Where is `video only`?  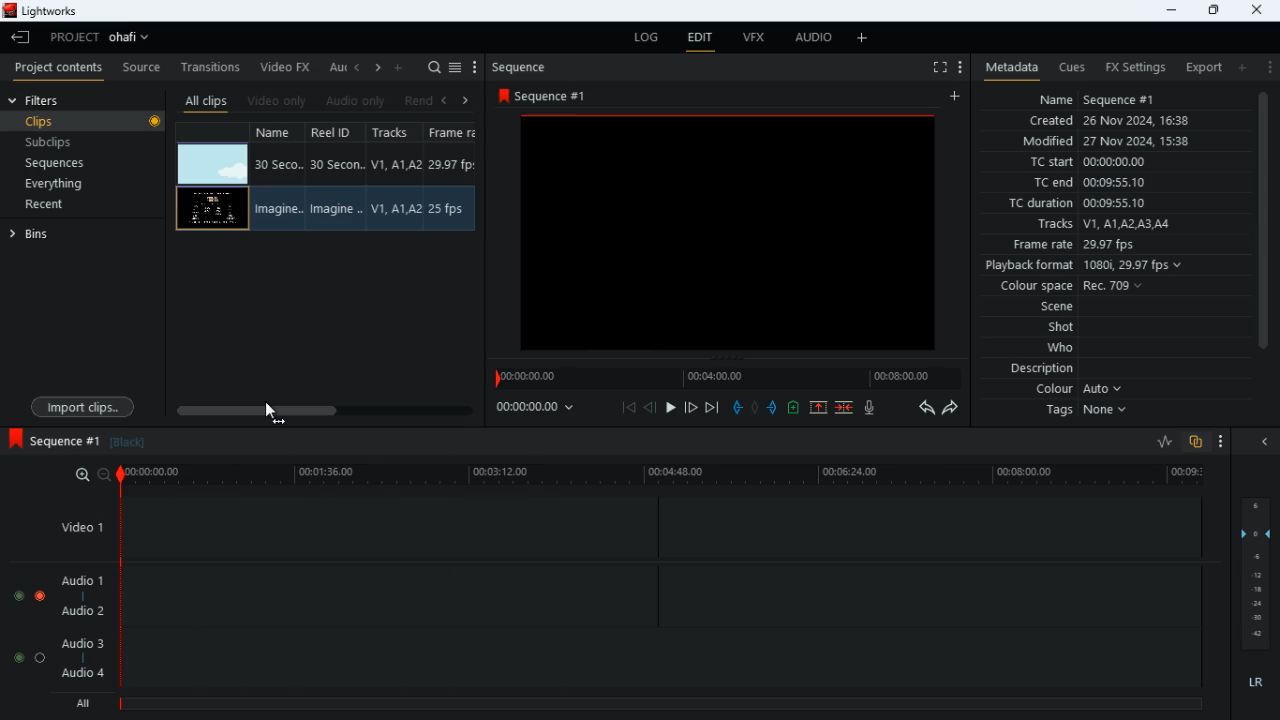 video only is located at coordinates (280, 98).